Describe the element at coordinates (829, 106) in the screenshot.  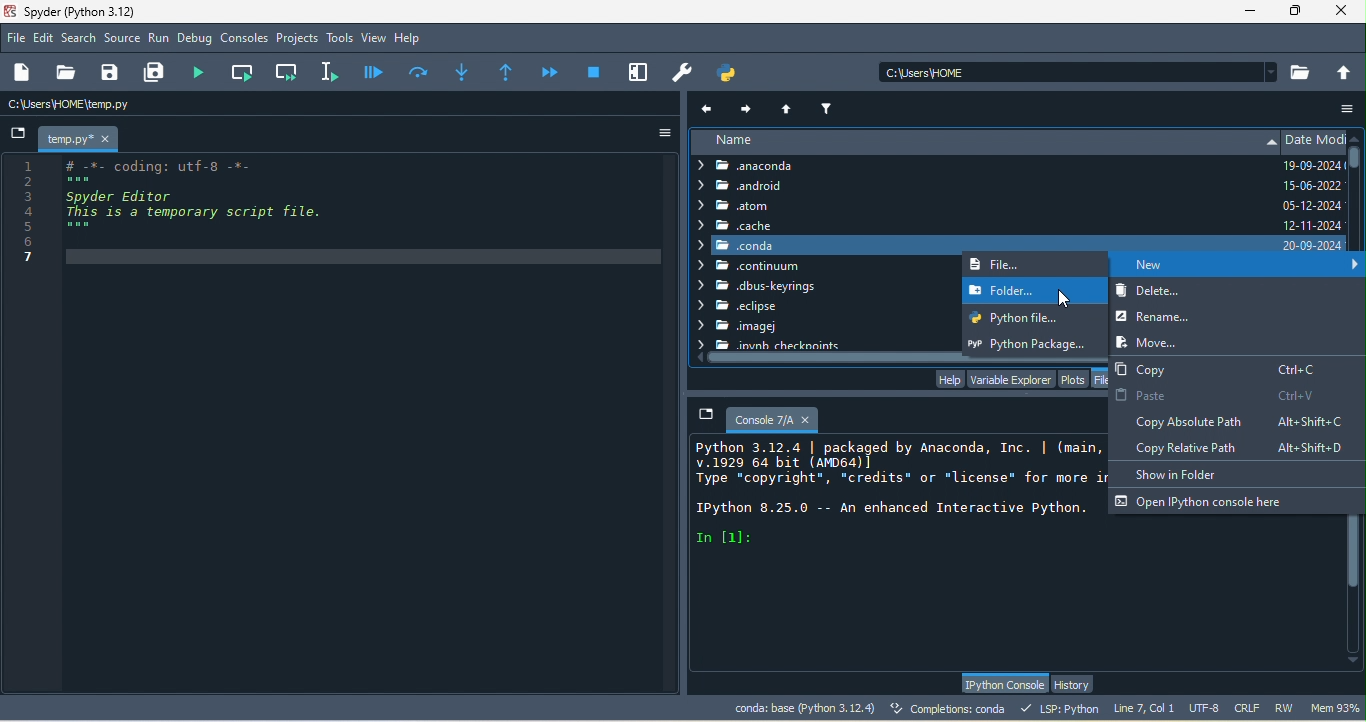
I see `filter` at that location.